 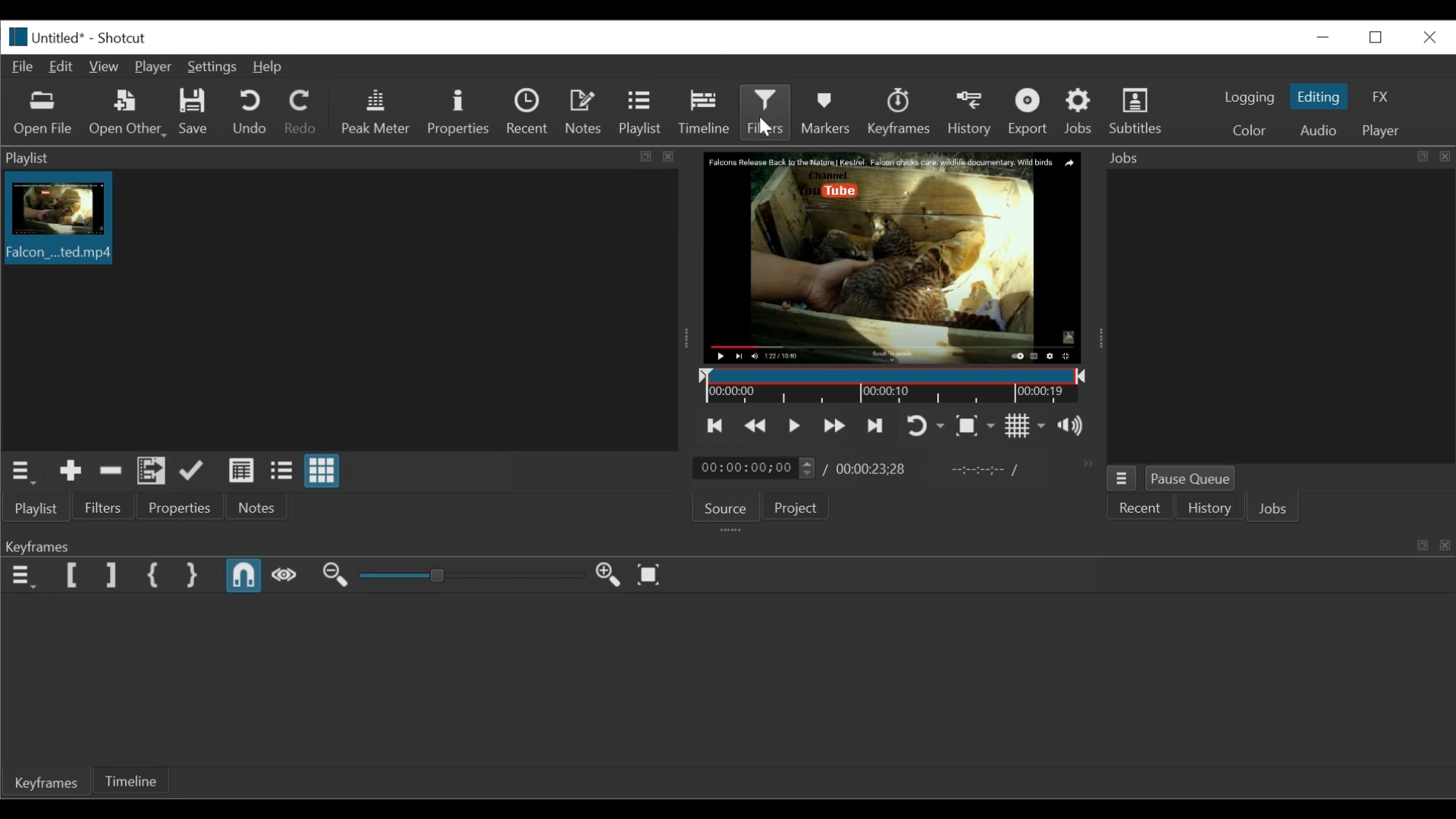 What do you see at coordinates (190, 575) in the screenshot?
I see `Set Second Simple Keyframe` at bounding box center [190, 575].